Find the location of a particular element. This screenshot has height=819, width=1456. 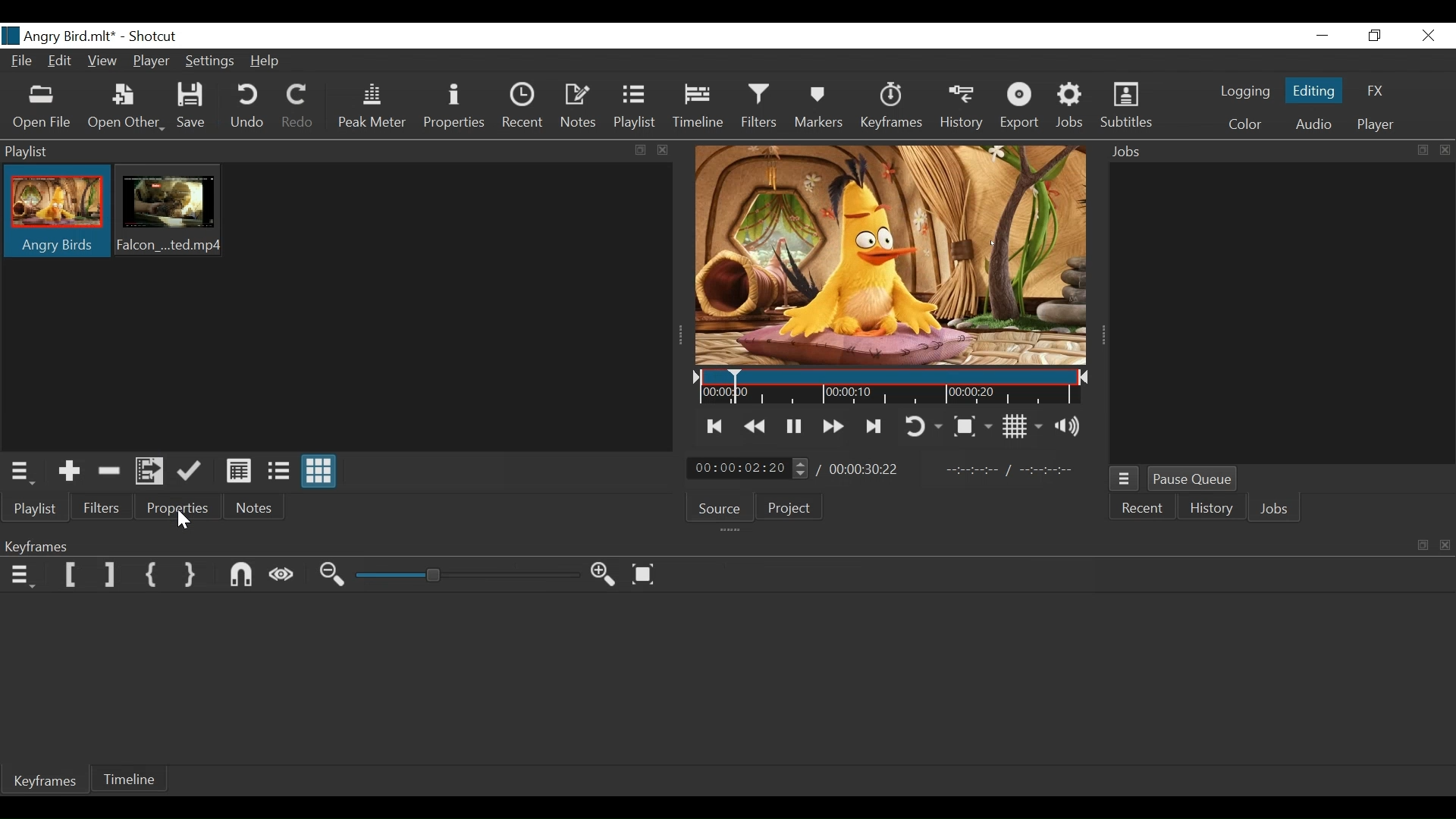

Set First Simple keyframe is located at coordinates (152, 576).